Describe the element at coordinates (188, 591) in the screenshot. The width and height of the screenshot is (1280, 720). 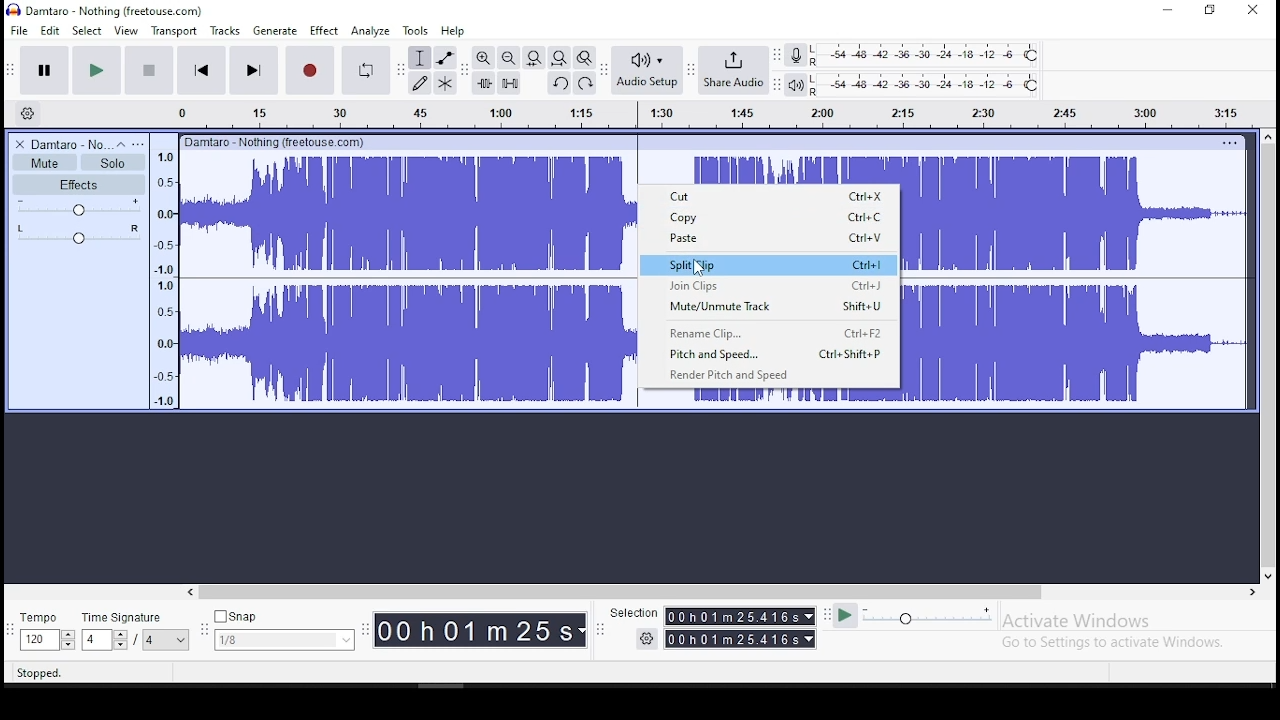
I see `scroll left` at that location.